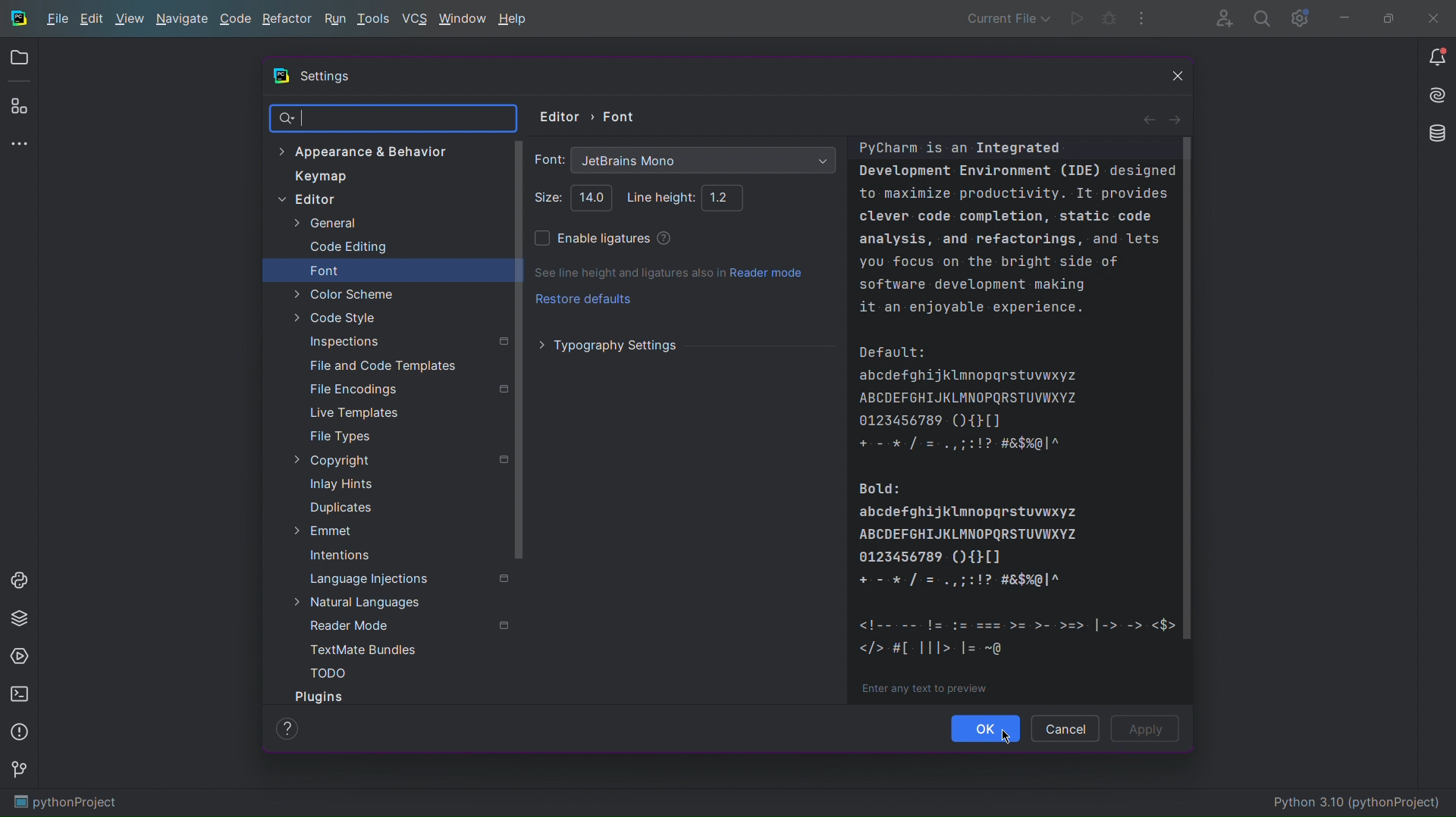  What do you see at coordinates (1360, 803) in the screenshot?
I see `Python 3.10 (pythonProject)` at bounding box center [1360, 803].